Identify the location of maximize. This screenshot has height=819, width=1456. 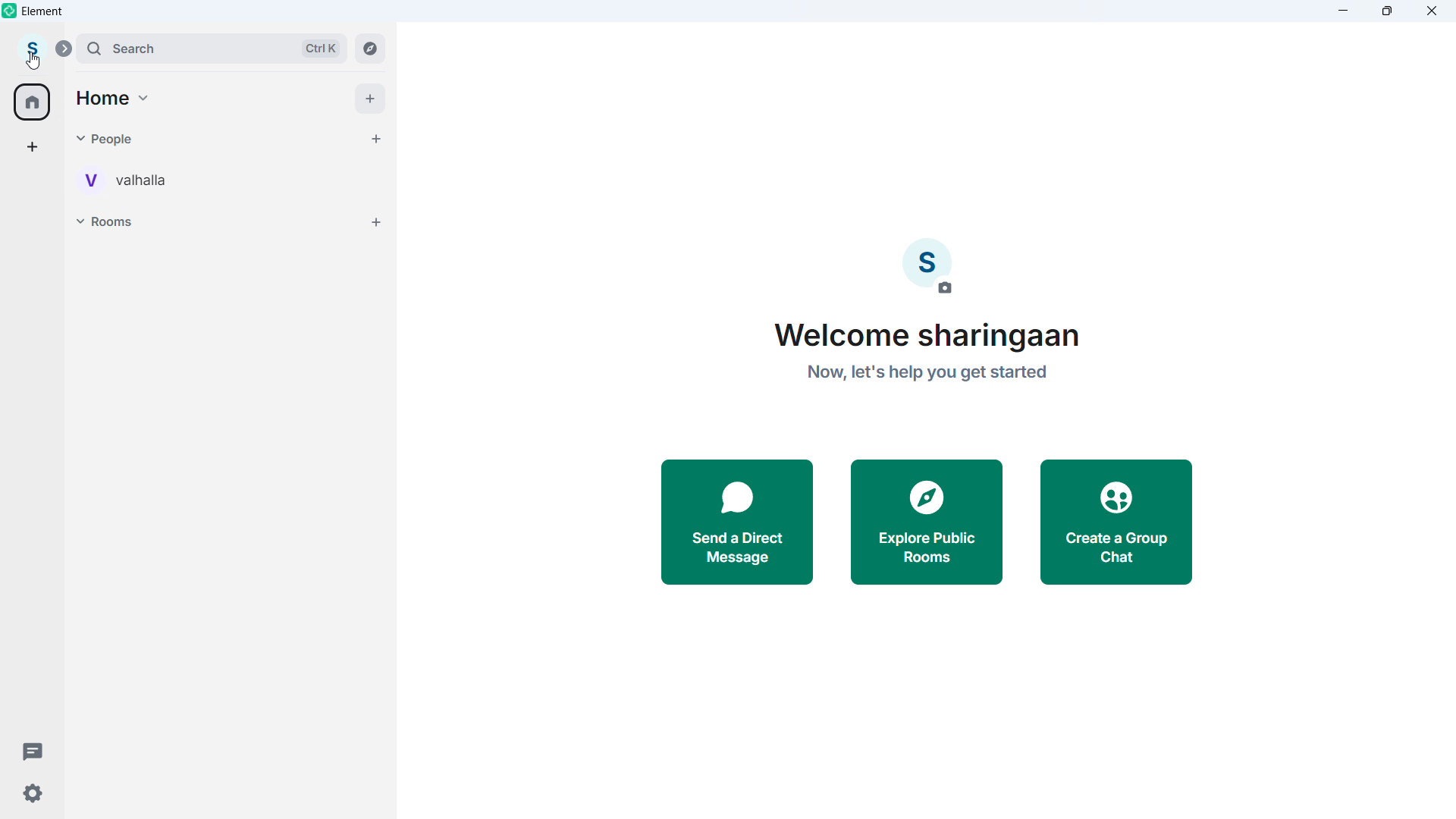
(1388, 11).